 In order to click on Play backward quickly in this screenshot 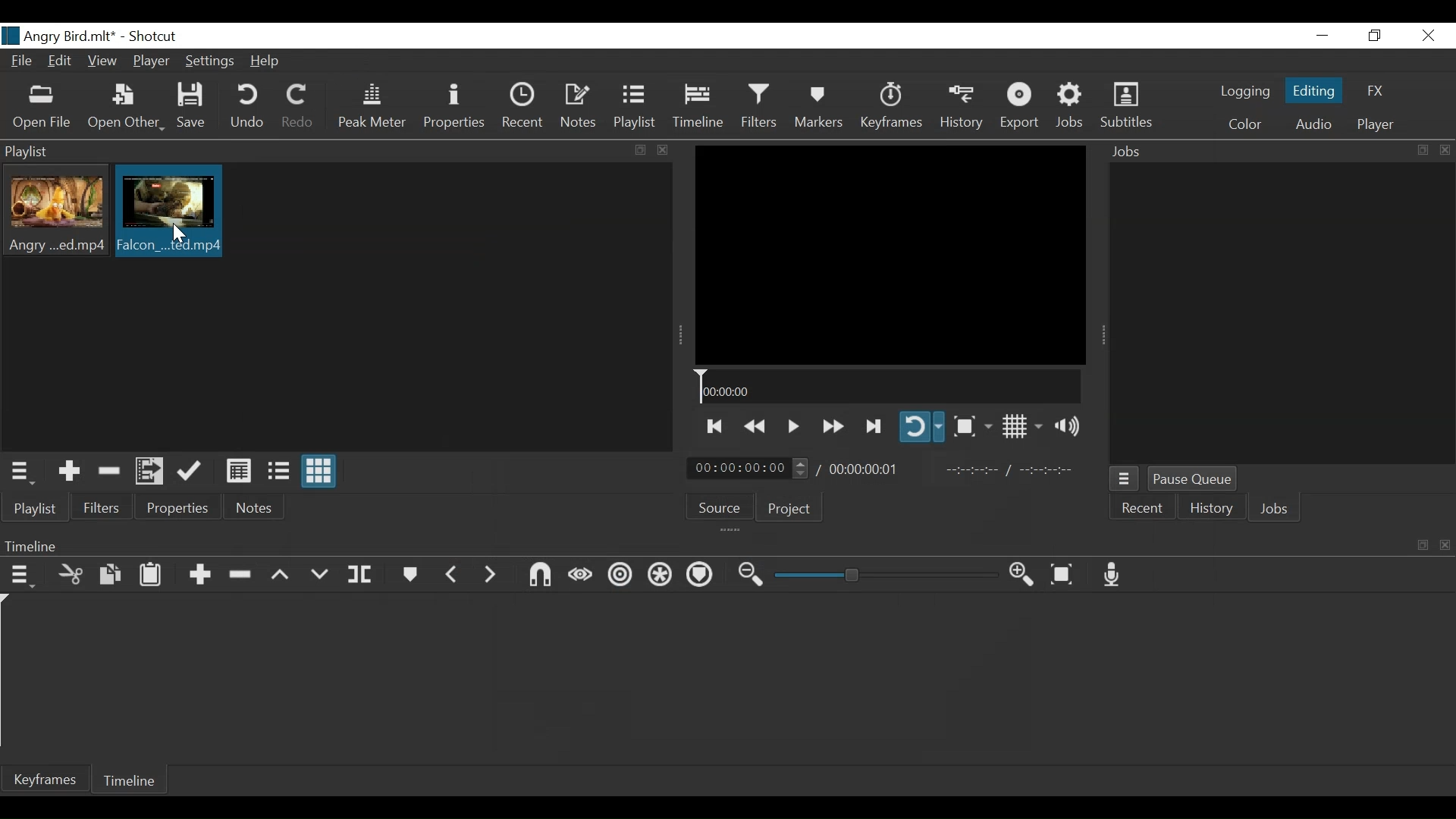, I will do `click(757, 427)`.